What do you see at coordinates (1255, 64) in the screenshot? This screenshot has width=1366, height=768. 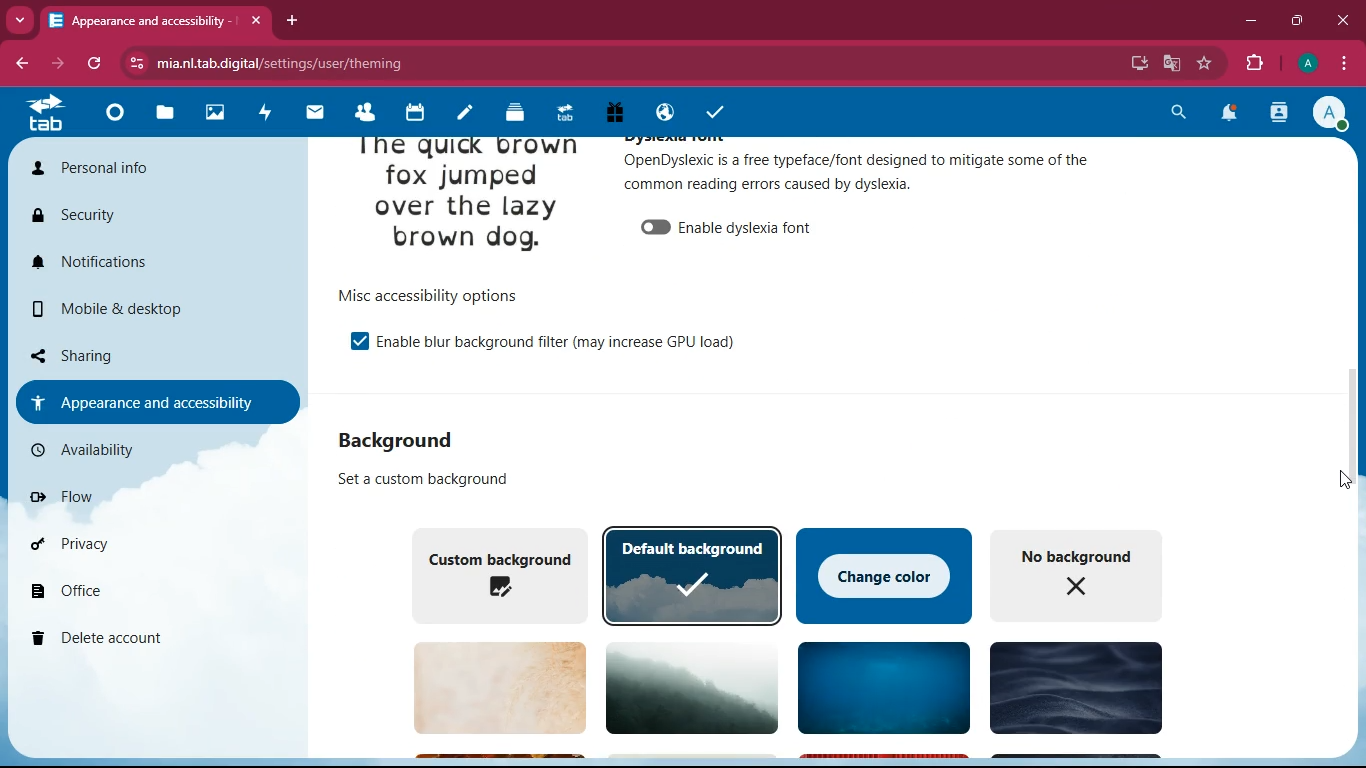 I see `extensions` at bounding box center [1255, 64].